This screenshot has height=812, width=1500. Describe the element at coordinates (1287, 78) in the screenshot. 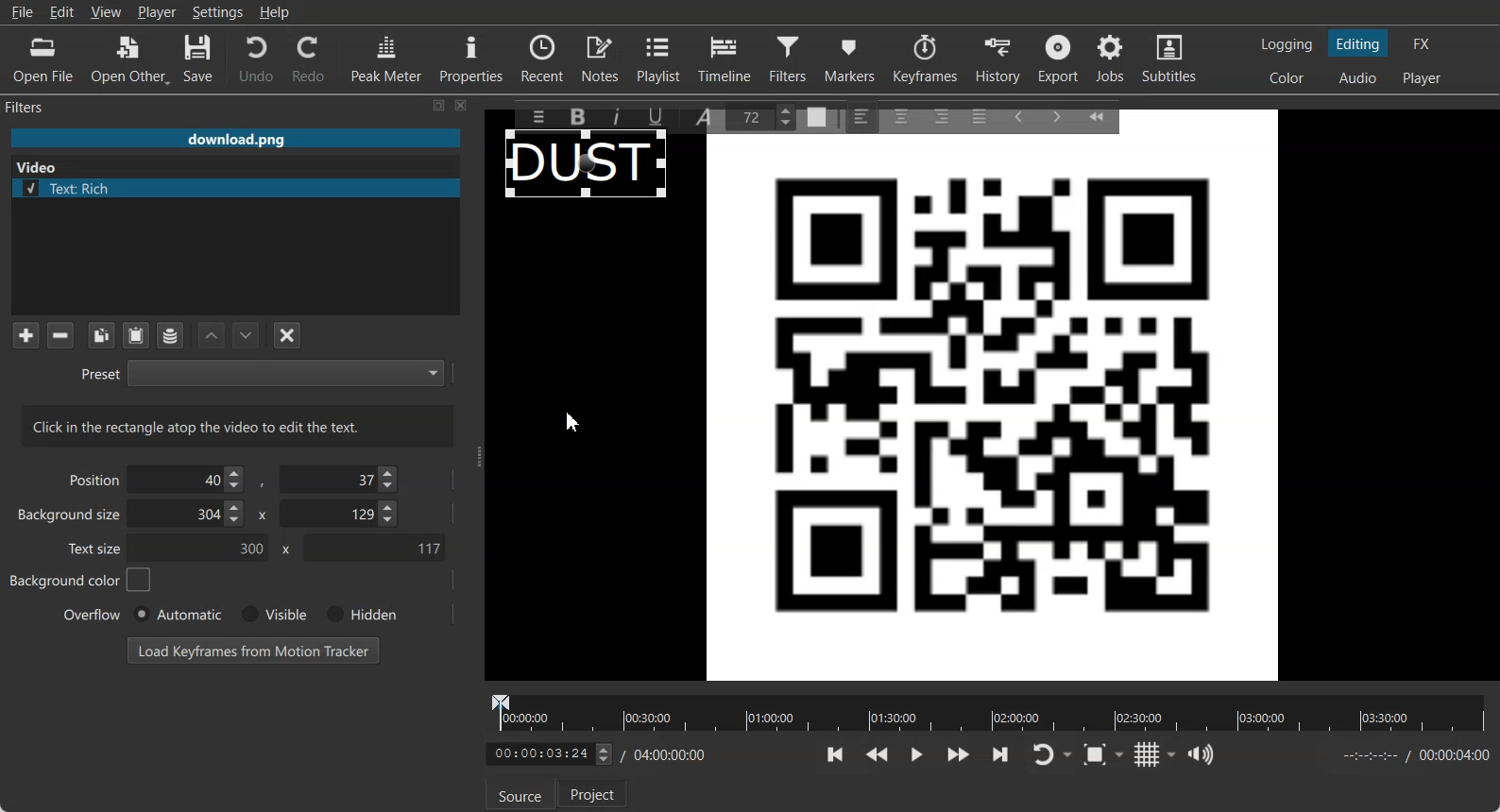

I see `Switching to the Color layout` at that location.